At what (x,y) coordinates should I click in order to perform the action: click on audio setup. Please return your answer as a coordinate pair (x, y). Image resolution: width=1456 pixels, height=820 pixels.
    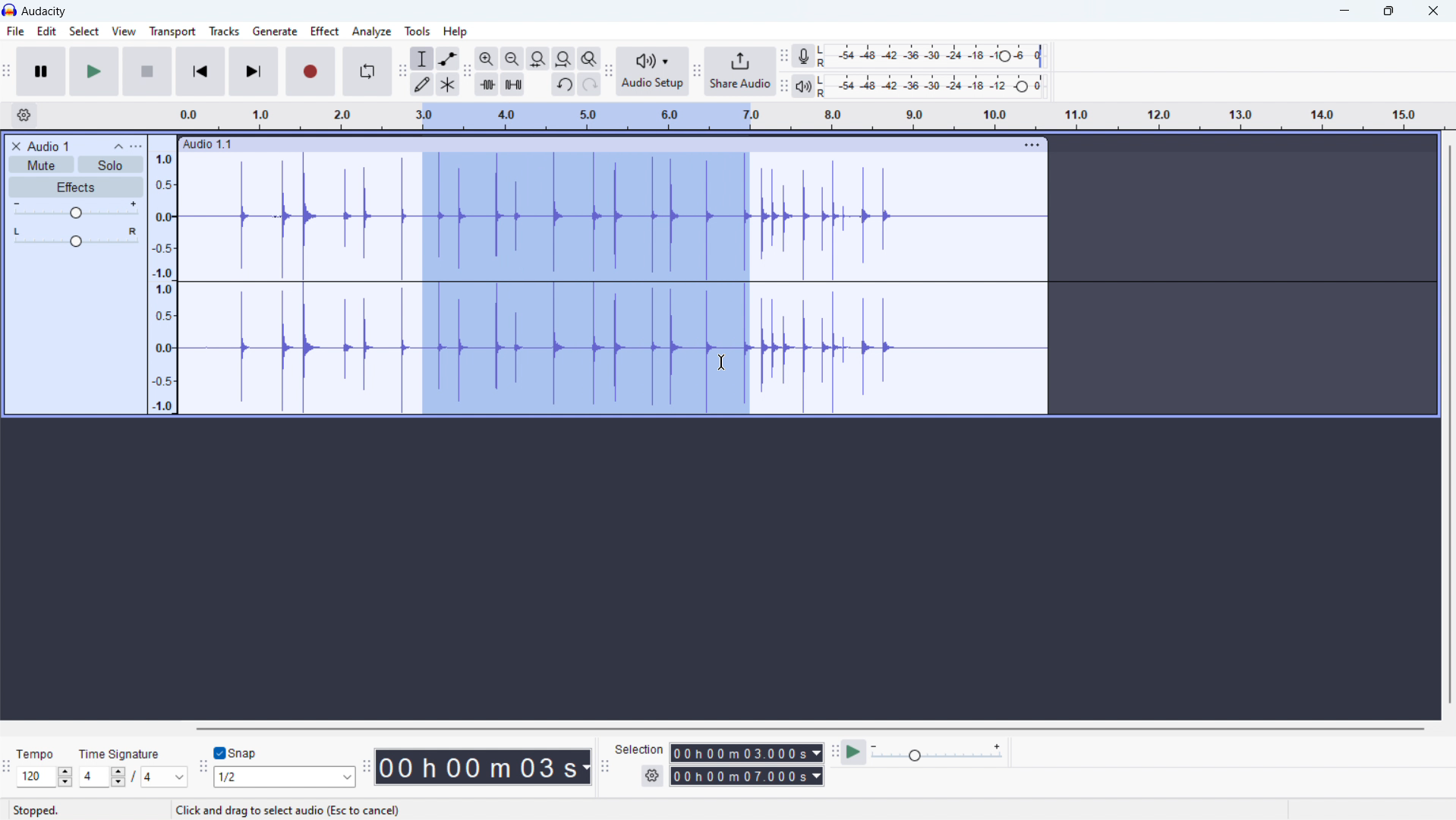
    Looking at the image, I should click on (654, 71).